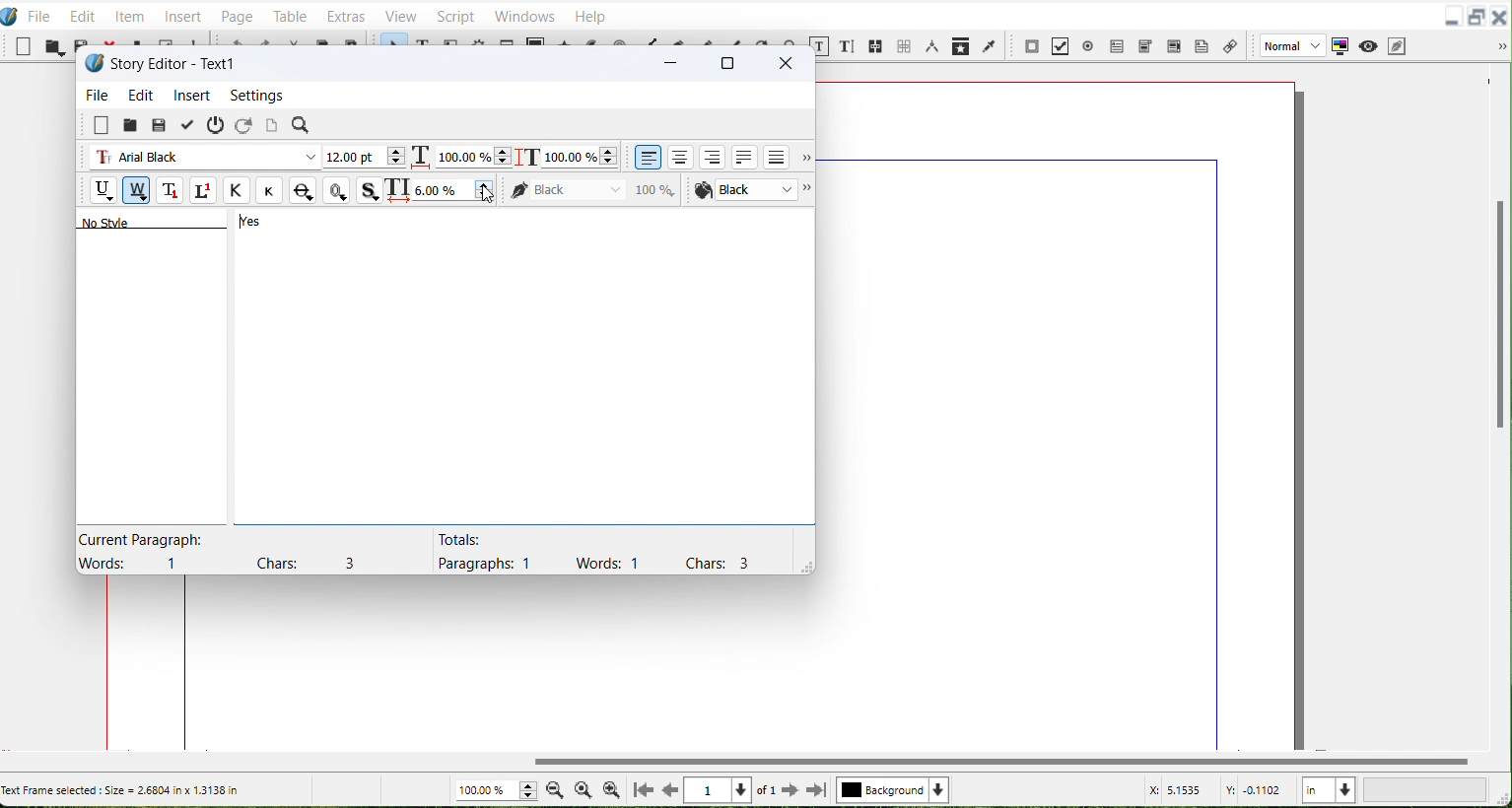  What do you see at coordinates (243, 124) in the screenshot?
I see `Reload text from frame` at bounding box center [243, 124].